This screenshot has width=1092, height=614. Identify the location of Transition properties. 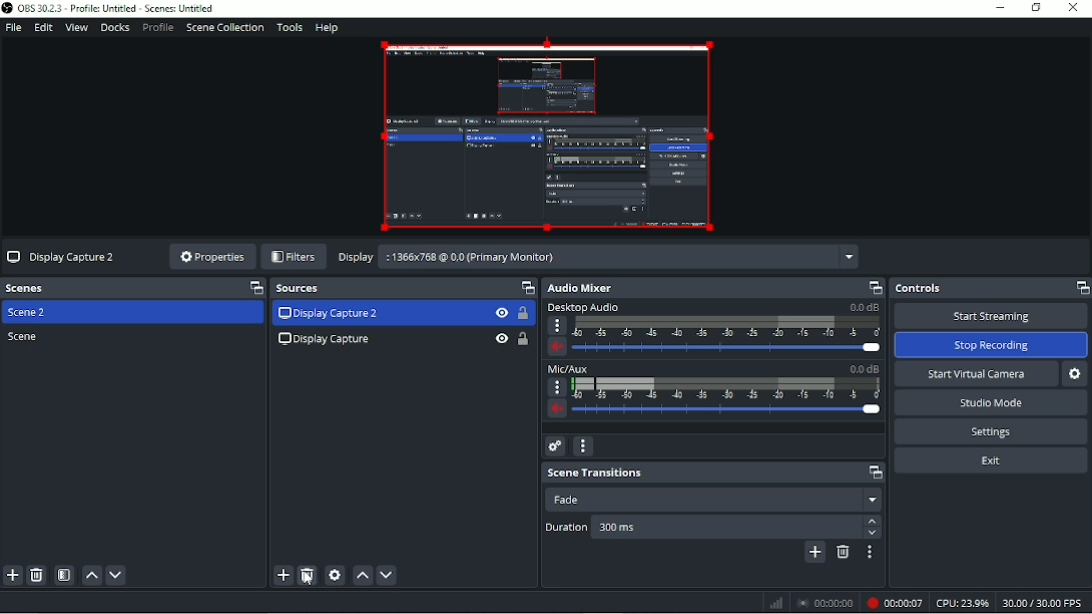
(872, 553).